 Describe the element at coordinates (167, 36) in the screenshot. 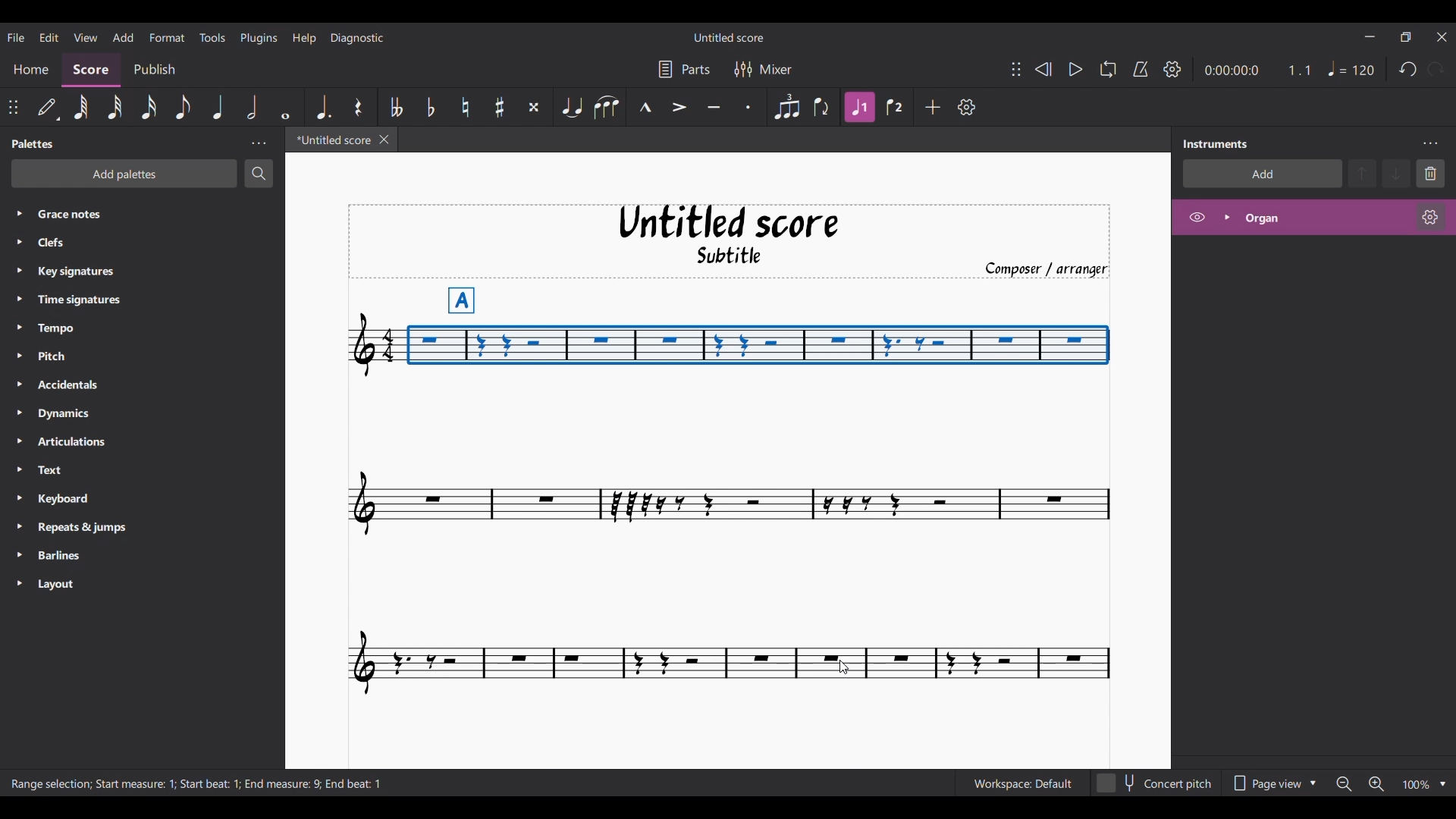

I see `Format menu` at that location.